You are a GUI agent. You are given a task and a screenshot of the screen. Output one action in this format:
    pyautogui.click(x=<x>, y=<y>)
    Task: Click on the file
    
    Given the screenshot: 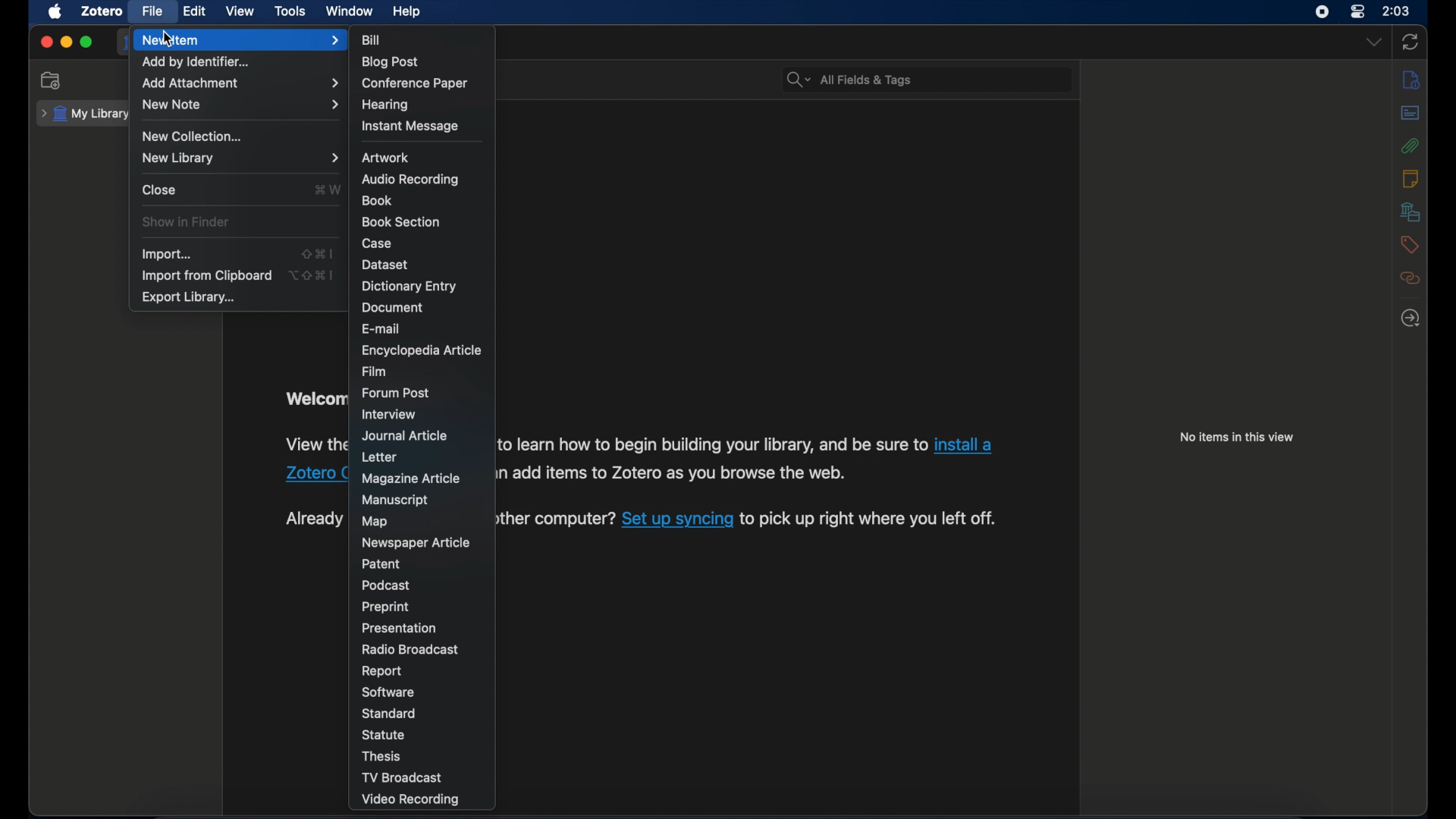 What is the action you would take?
    pyautogui.click(x=152, y=11)
    